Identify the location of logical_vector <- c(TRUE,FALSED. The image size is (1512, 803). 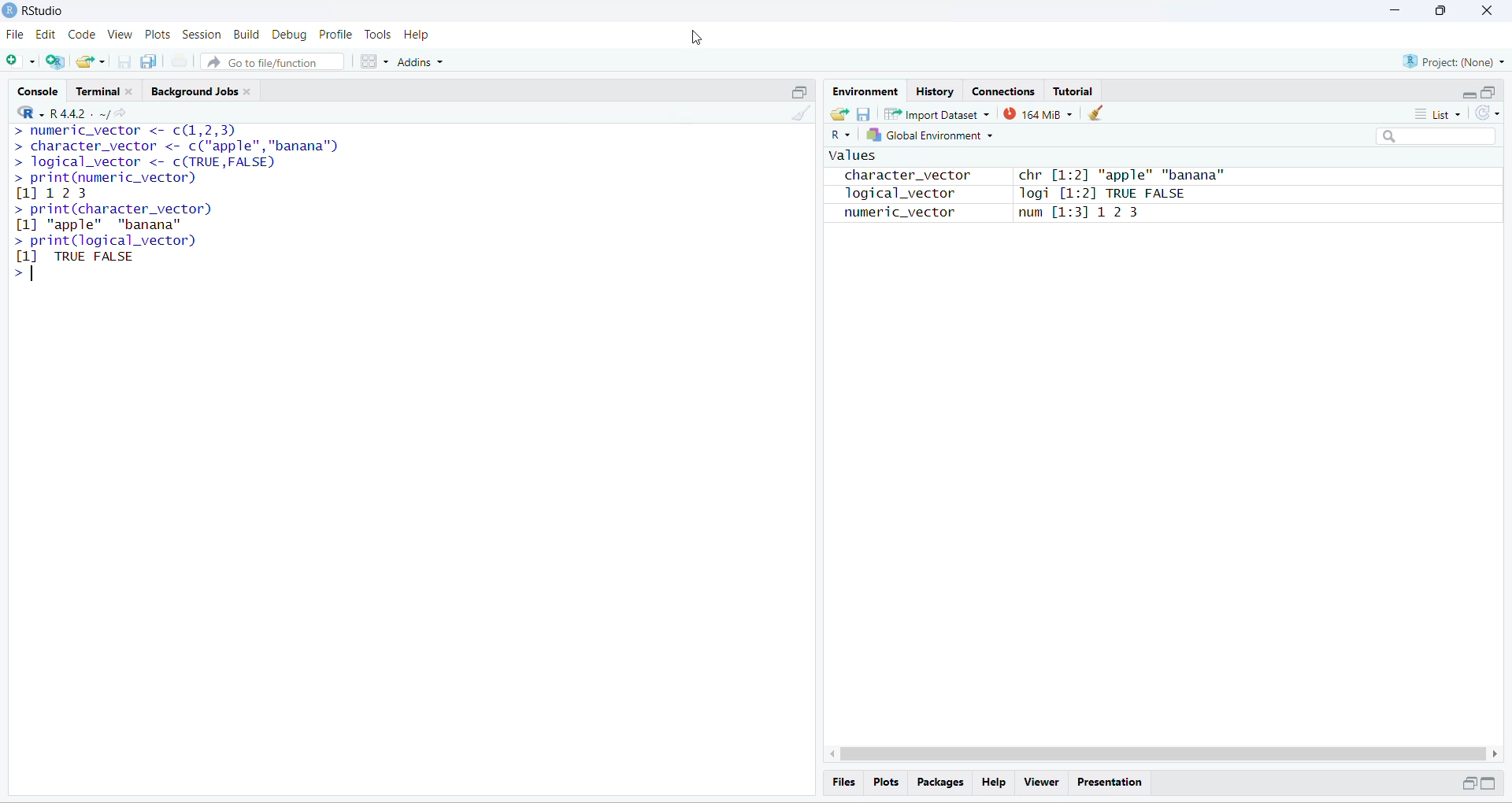
(143, 162).